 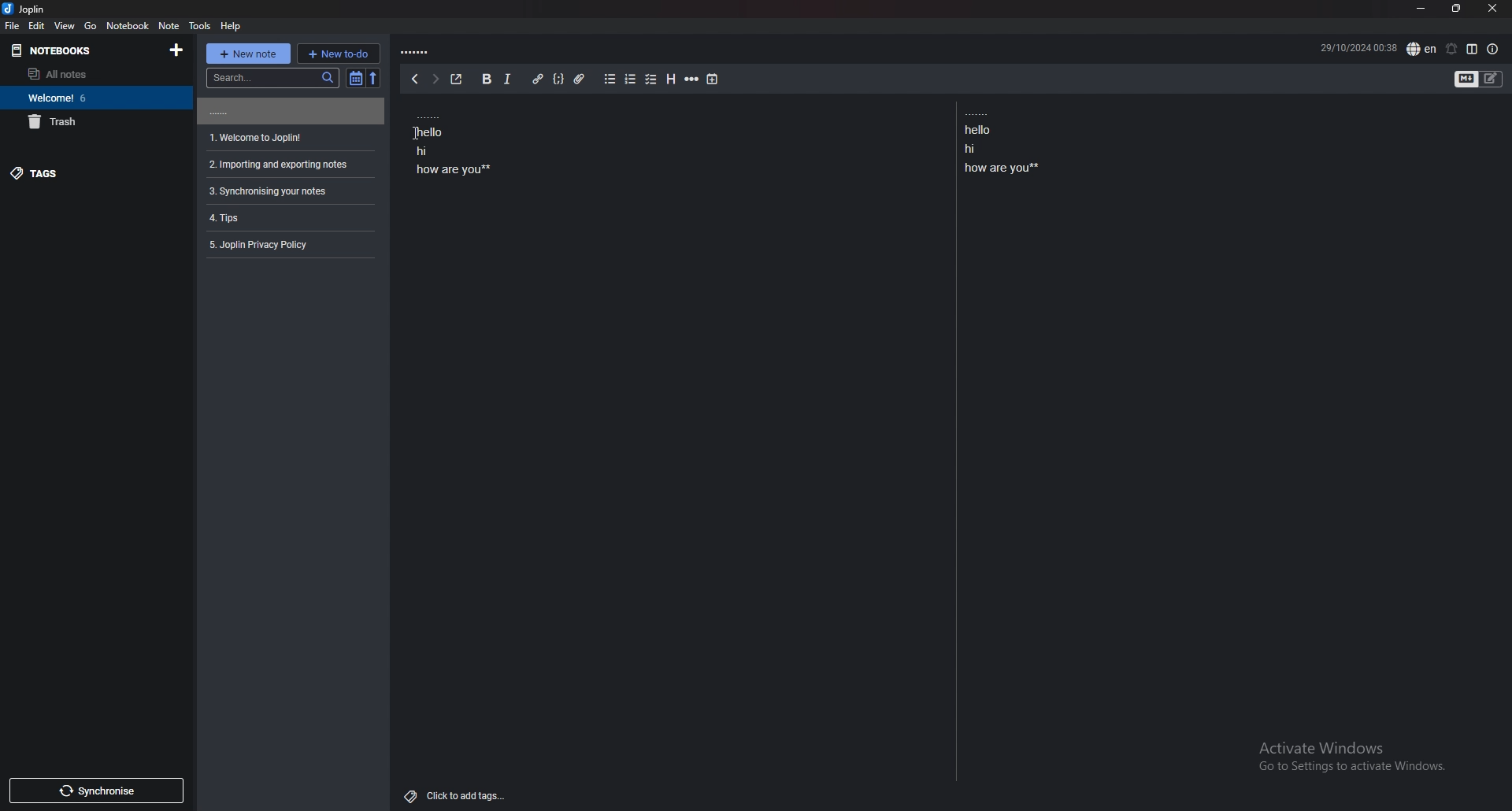 I want to click on numbered list, so click(x=631, y=80).